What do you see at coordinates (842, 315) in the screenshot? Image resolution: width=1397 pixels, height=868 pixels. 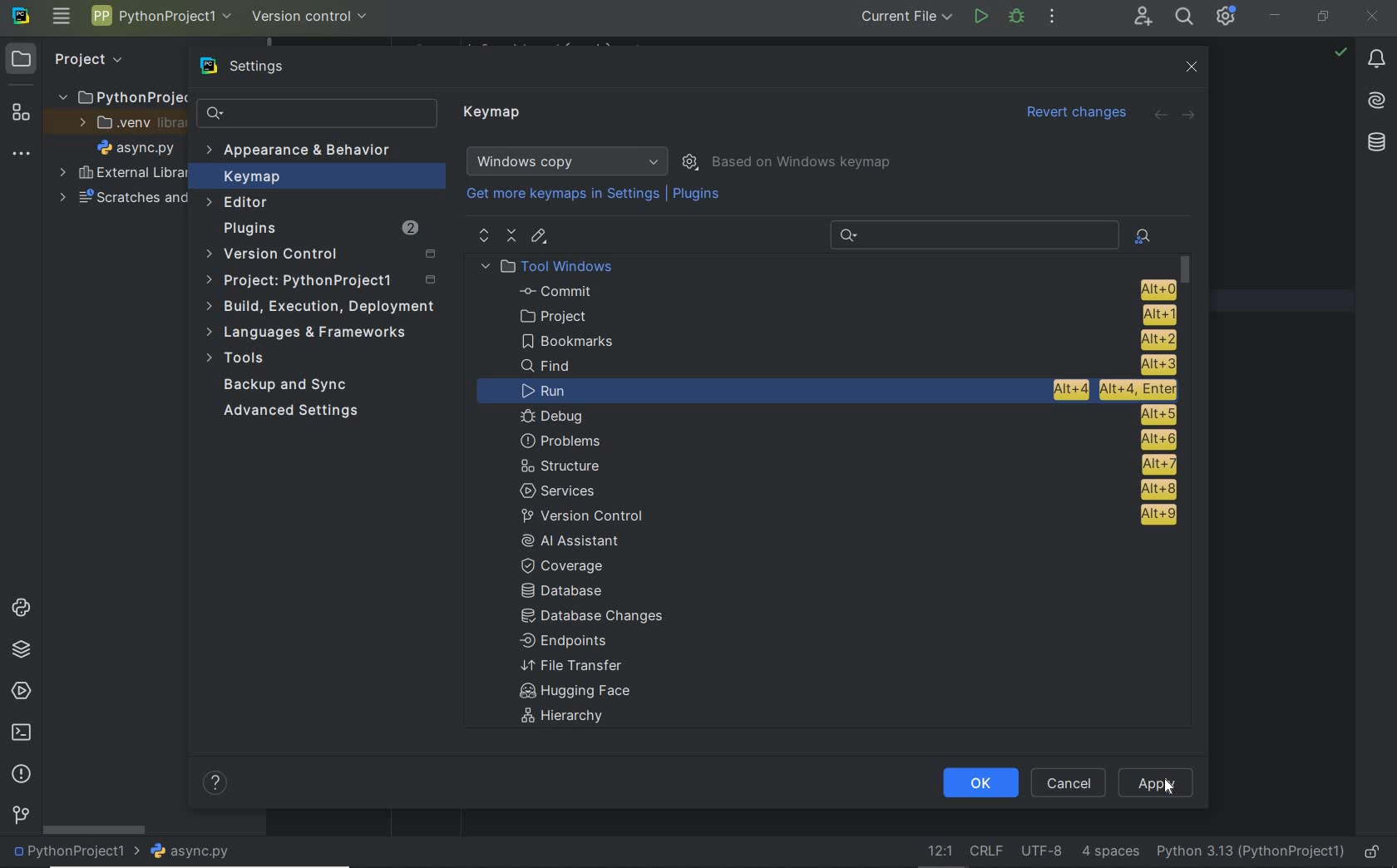 I see `project` at bounding box center [842, 315].